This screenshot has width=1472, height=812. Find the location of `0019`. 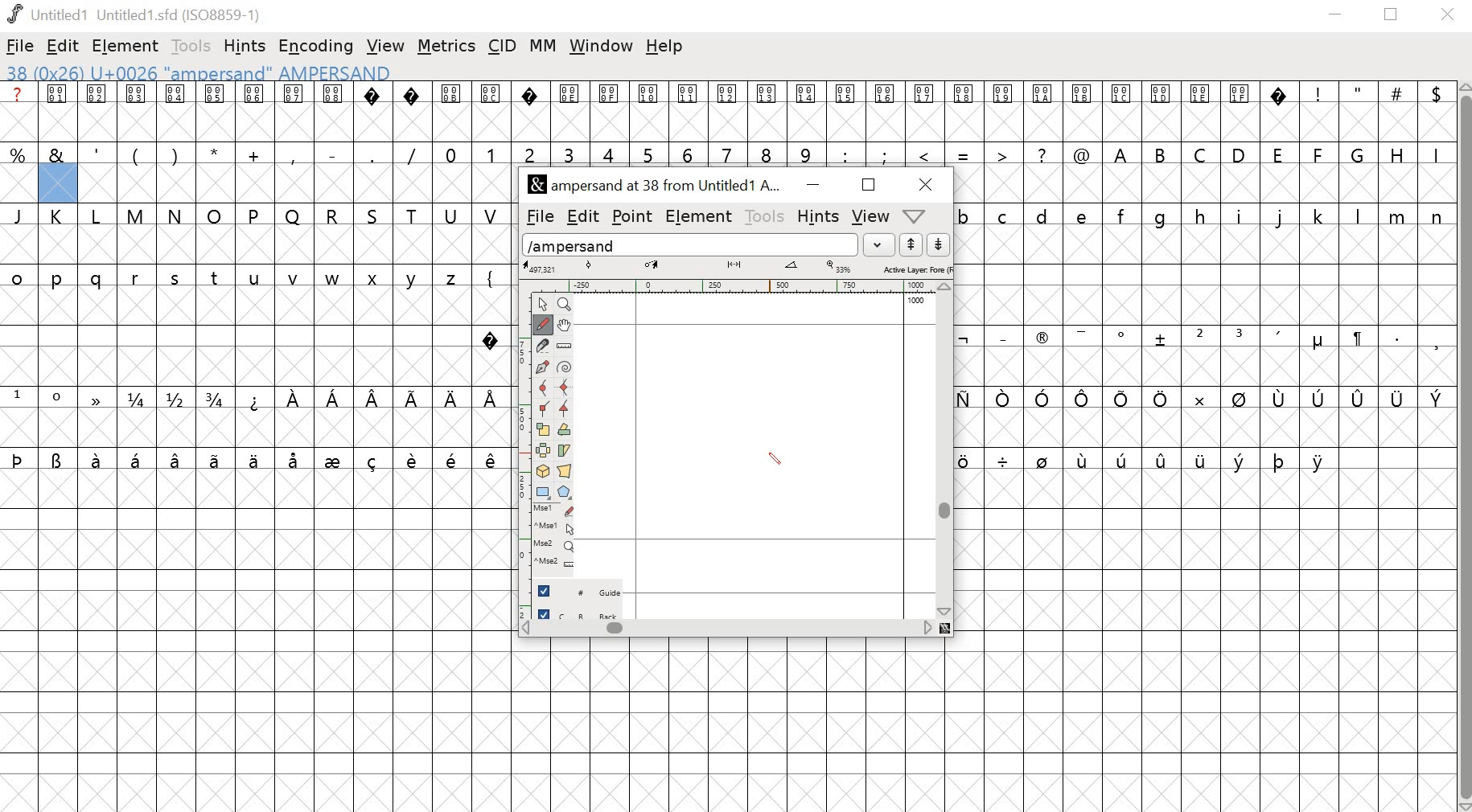

0019 is located at coordinates (1004, 112).